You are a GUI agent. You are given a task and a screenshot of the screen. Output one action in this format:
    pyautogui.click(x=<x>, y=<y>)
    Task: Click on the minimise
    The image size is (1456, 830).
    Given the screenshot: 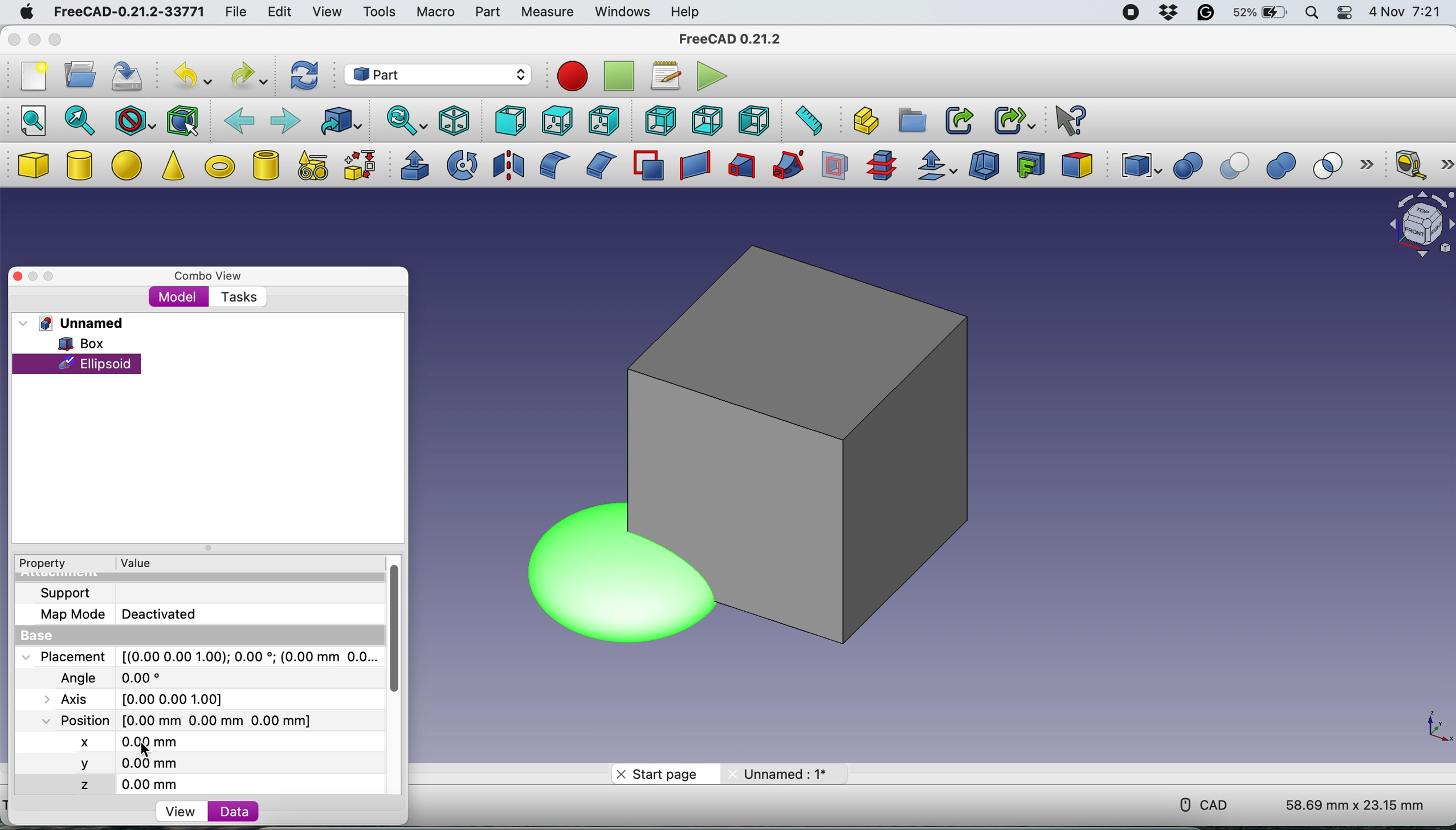 What is the action you would take?
    pyautogui.click(x=35, y=276)
    